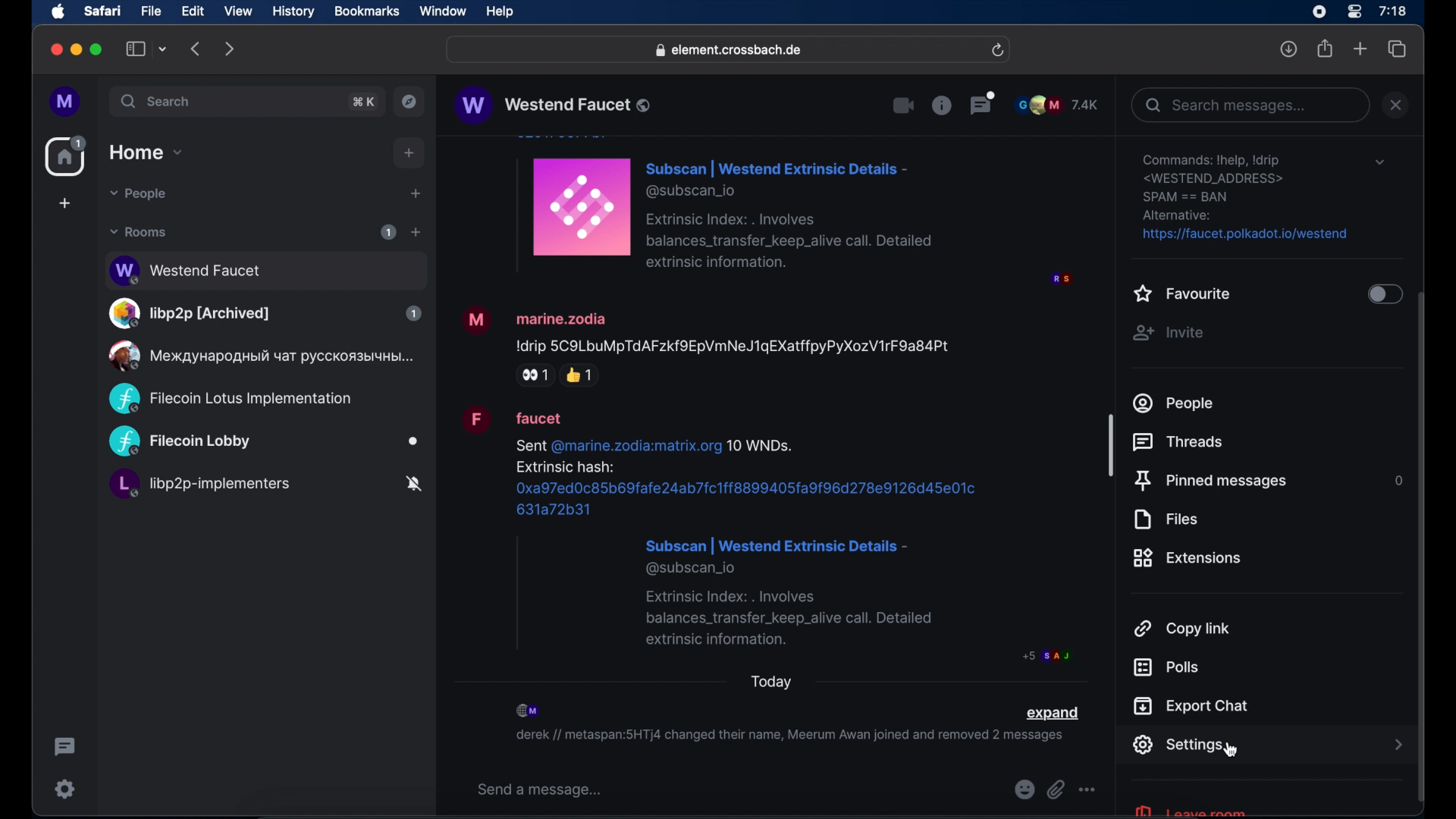 The width and height of the screenshot is (1456, 819). What do you see at coordinates (163, 49) in the screenshot?
I see `tab group picker` at bounding box center [163, 49].